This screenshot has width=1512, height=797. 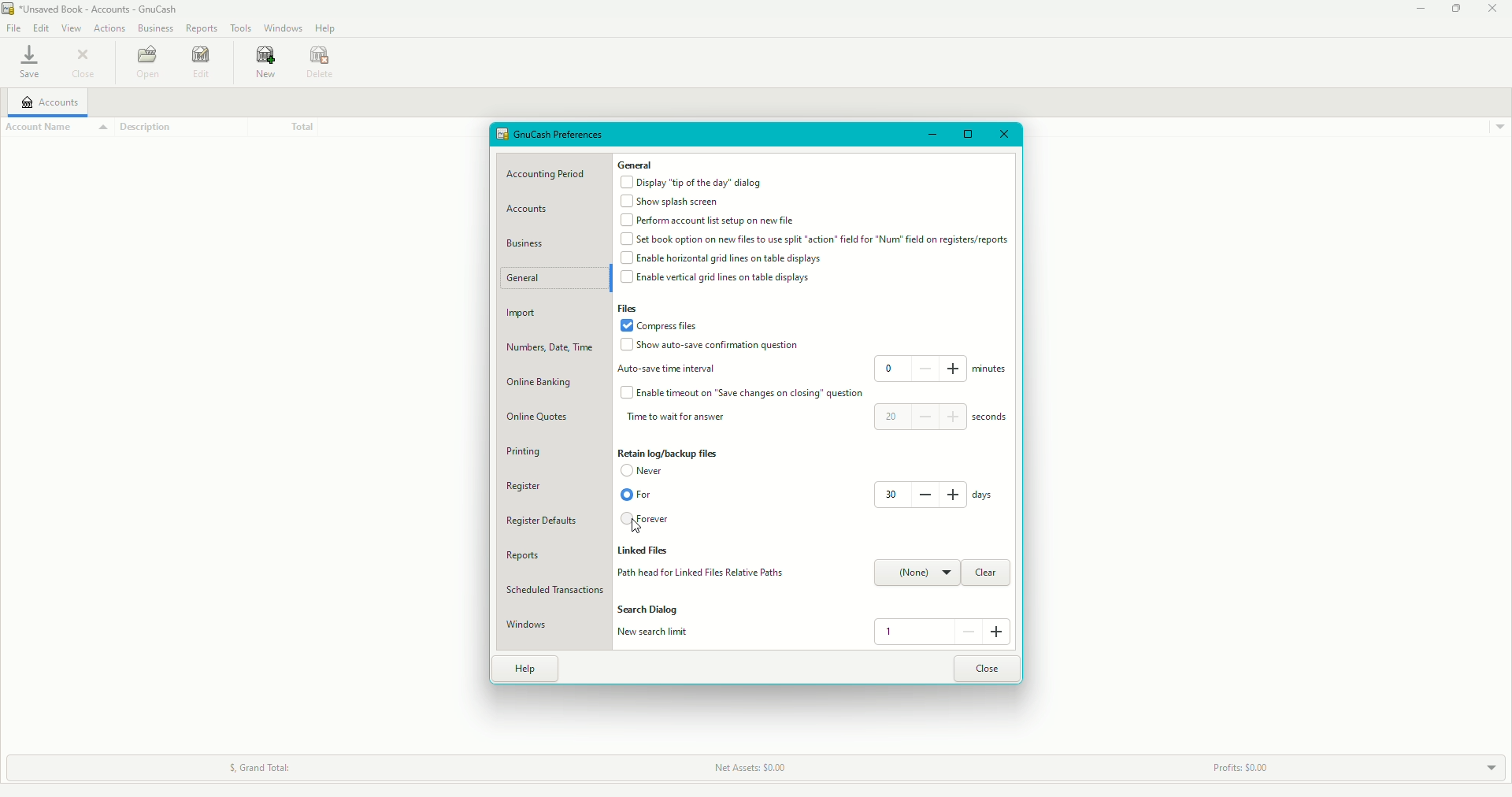 What do you see at coordinates (531, 209) in the screenshot?
I see `Accounts` at bounding box center [531, 209].